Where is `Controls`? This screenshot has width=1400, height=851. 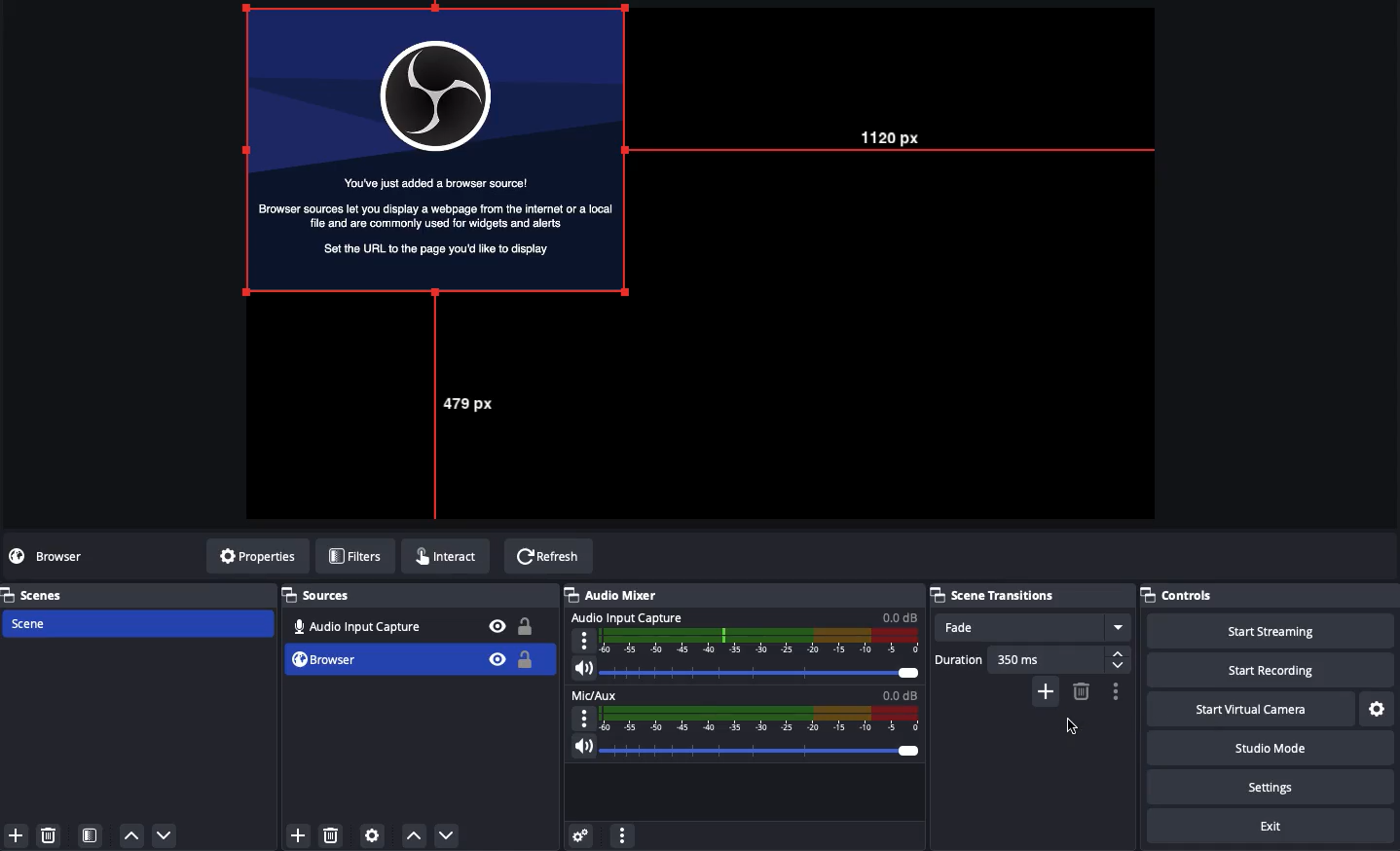 Controls is located at coordinates (1268, 595).